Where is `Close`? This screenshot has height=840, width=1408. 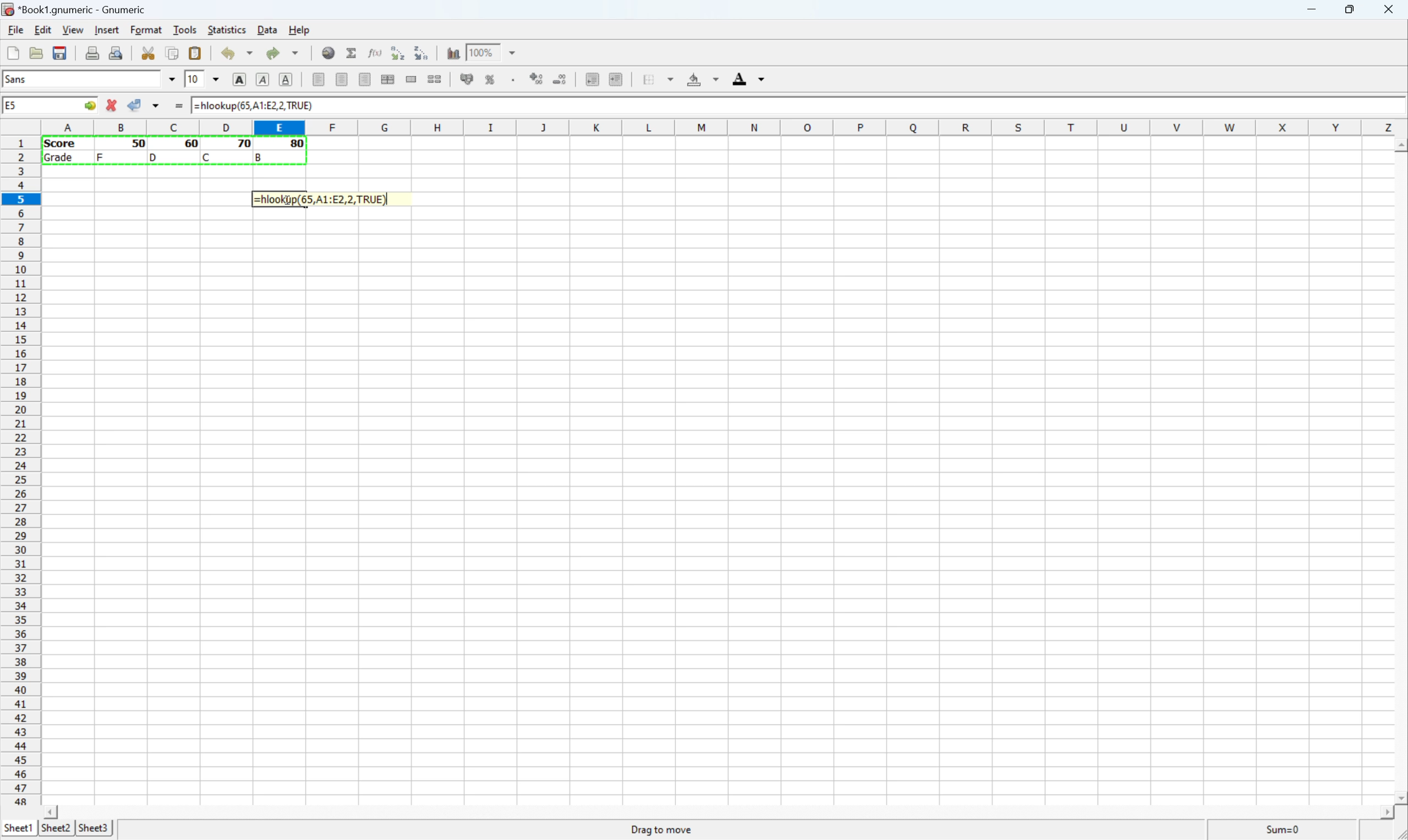
Close is located at coordinates (1390, 10).